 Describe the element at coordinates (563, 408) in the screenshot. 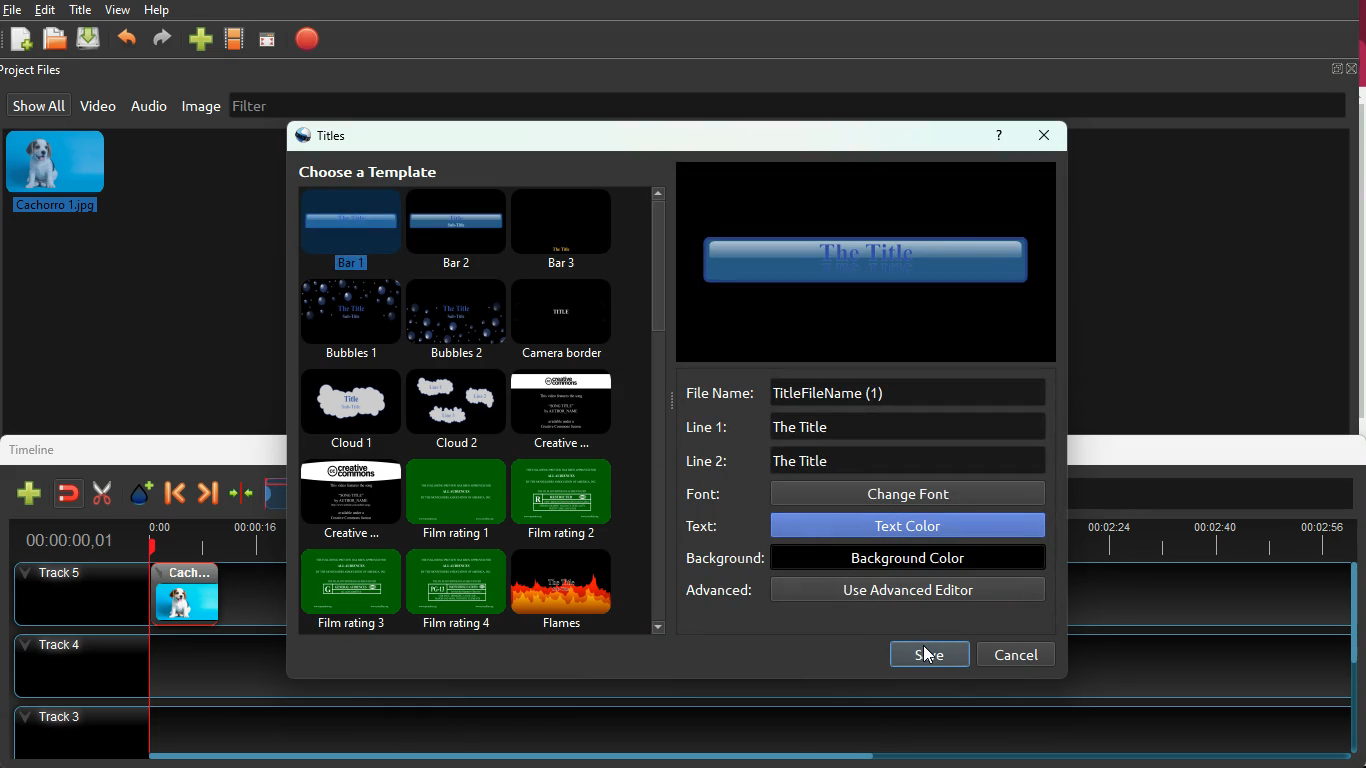

I see `creative` at that location.